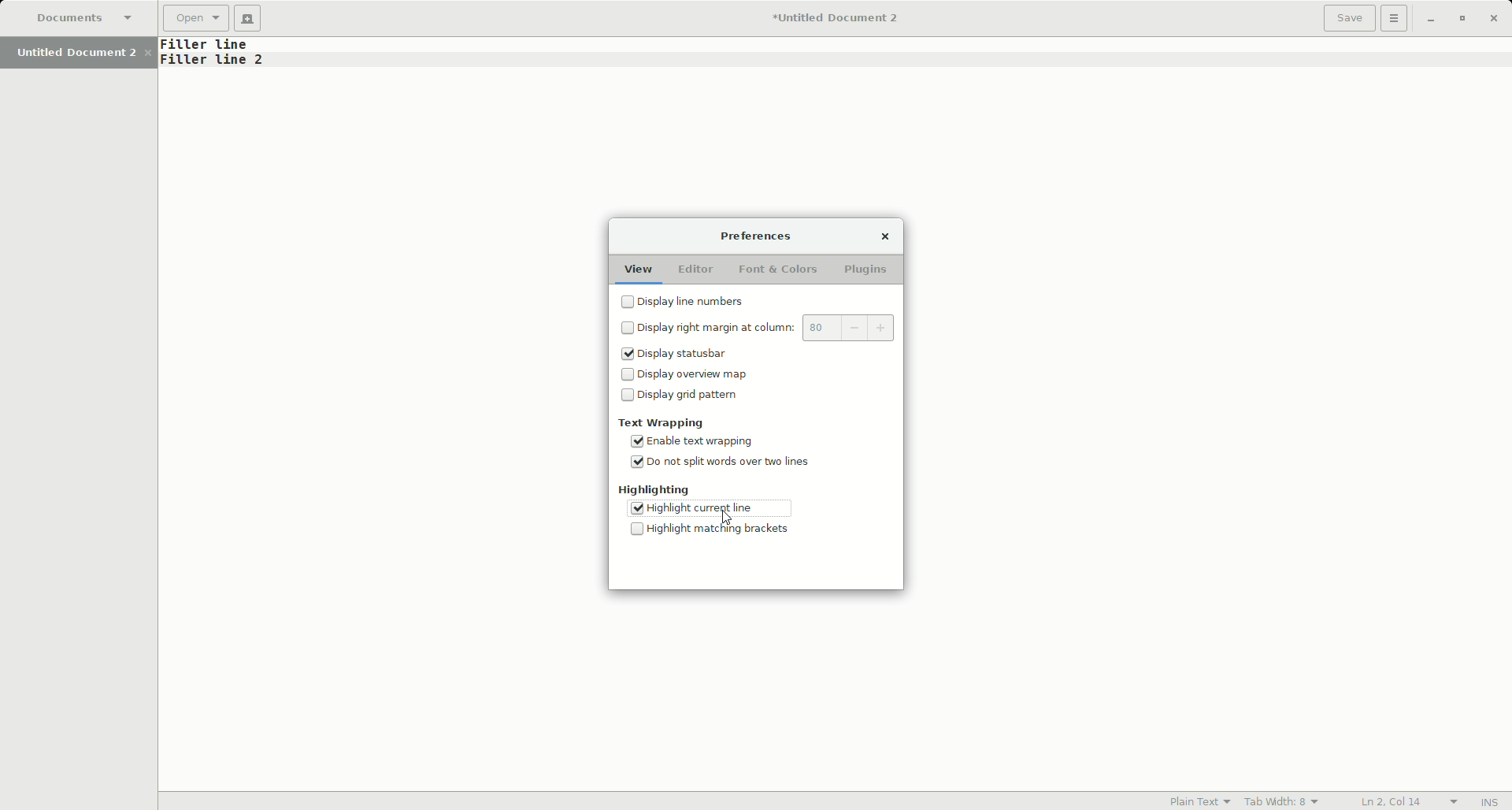 The image size is (1512, 810). Describe the element at coordinates (724, 466) in the screenshot. I see `Do not split words` at that location.